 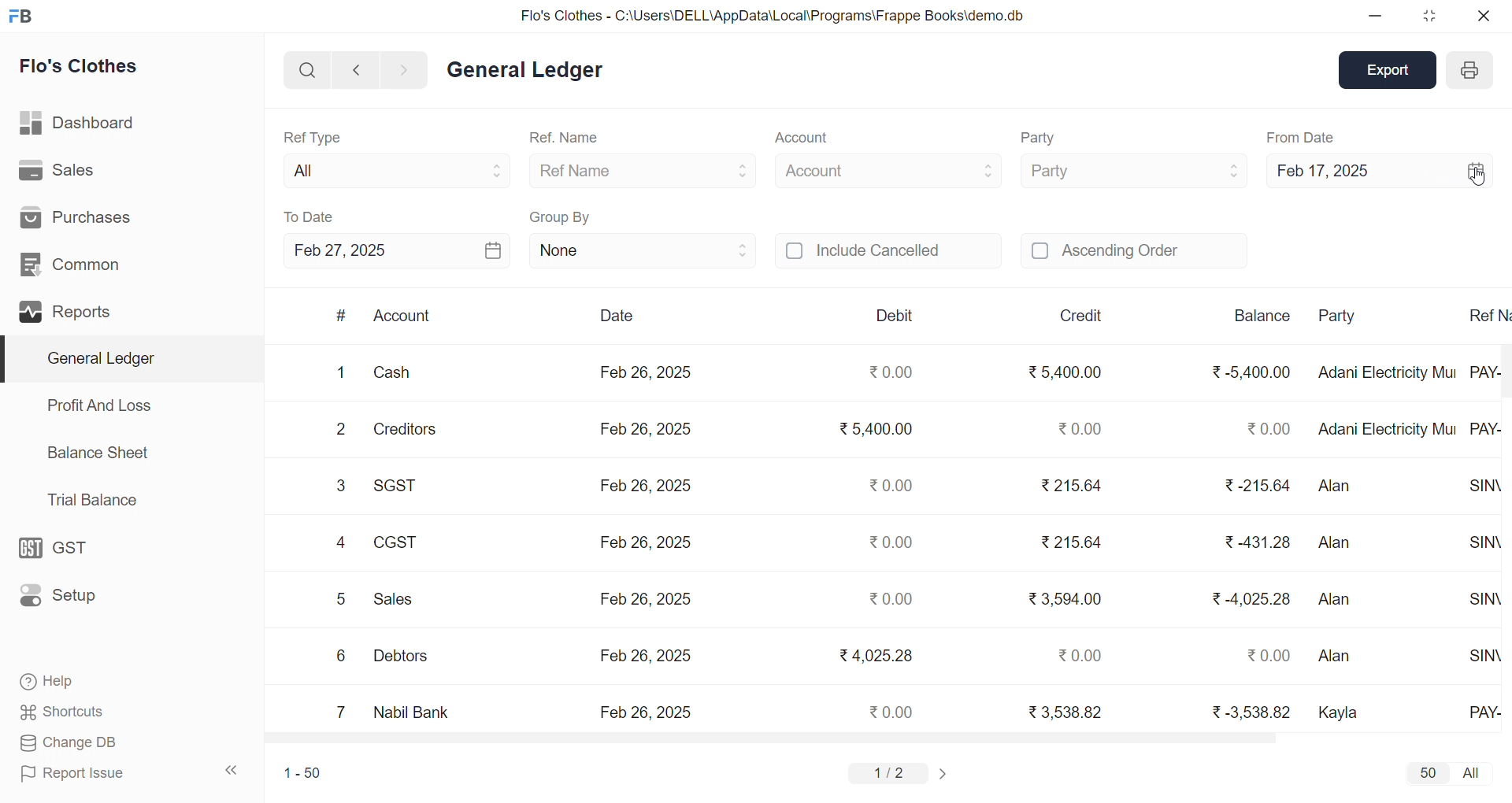 What do you see at coordinates (306, 68) in the screenshot?
I see `SEARCH` at bounding box center [306, 68].